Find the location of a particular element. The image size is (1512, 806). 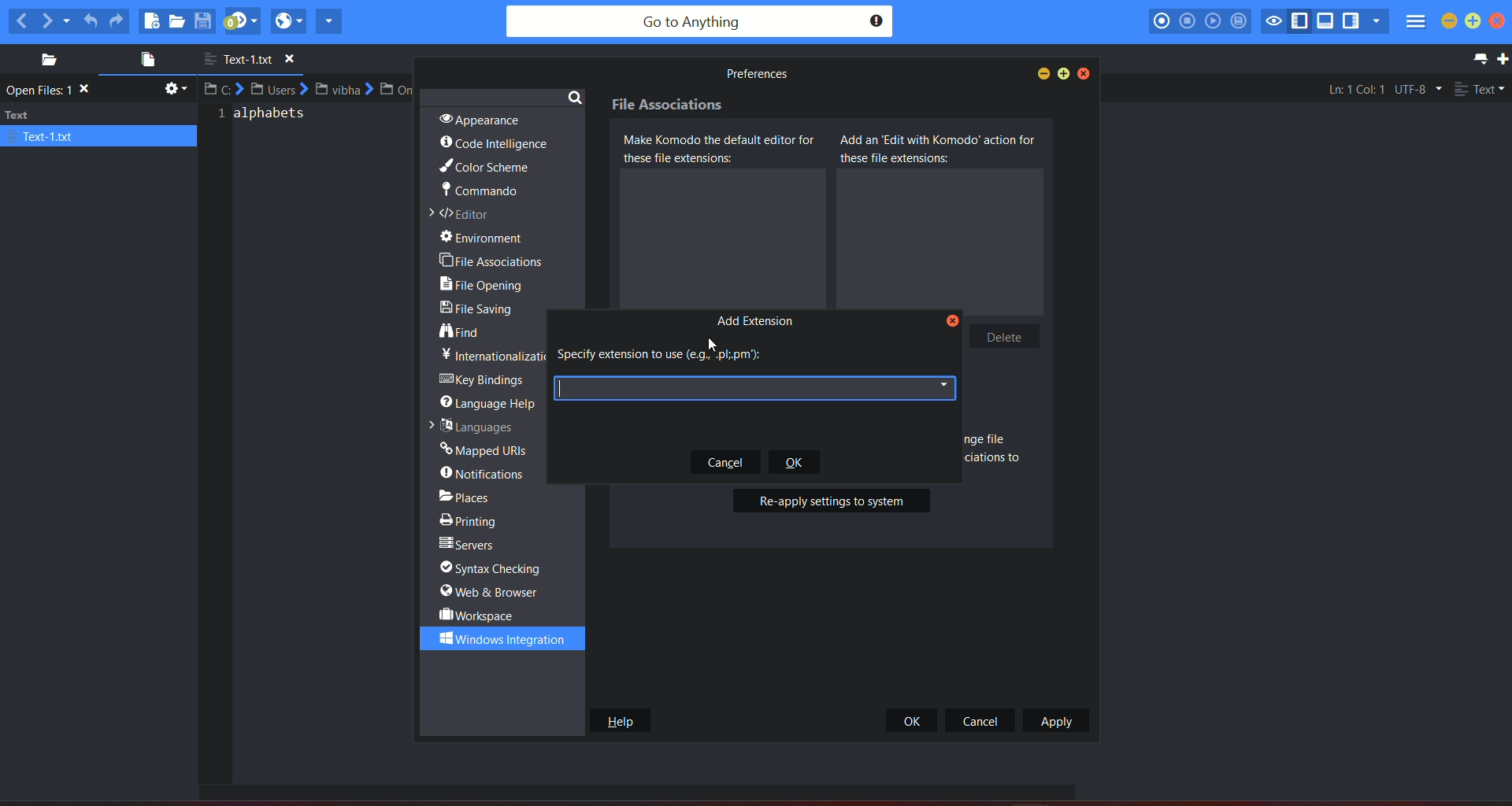

file type is located at coordinates (1480, 91).